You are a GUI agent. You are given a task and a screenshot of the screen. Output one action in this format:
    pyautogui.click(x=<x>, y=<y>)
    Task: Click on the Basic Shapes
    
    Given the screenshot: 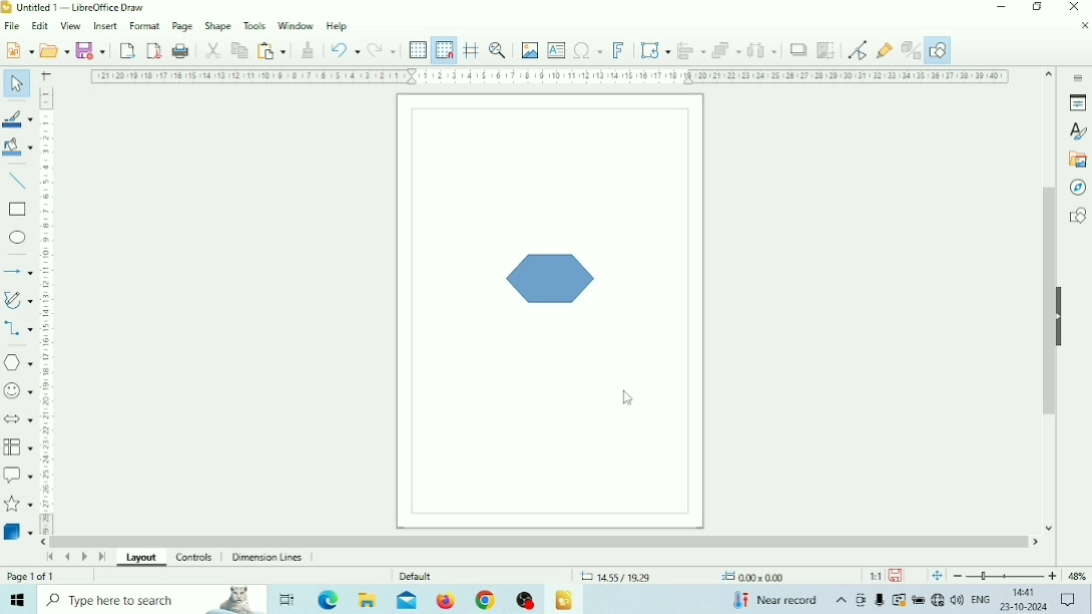 What is the action you would take?
    pyautogui.click(x=18, y=363)
    